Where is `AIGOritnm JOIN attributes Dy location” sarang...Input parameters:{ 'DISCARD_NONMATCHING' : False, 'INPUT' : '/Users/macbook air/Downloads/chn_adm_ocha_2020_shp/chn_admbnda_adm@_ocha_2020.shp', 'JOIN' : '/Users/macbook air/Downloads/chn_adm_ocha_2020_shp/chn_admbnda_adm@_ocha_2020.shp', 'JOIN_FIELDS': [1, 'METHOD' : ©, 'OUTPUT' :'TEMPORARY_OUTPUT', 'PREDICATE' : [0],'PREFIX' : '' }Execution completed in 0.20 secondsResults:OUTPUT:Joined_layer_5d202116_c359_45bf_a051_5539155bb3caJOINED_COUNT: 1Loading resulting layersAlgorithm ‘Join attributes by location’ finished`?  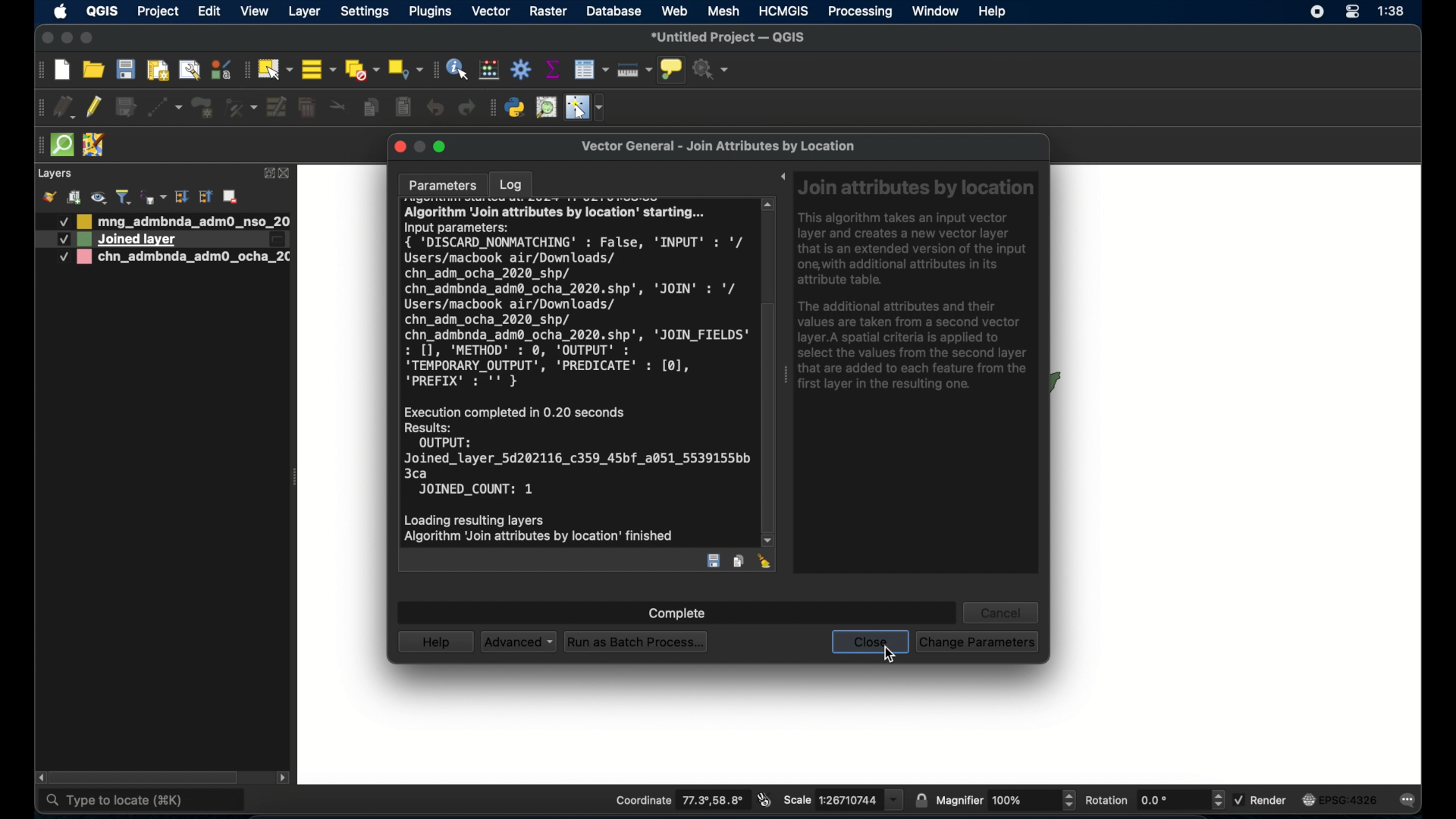
AIGOritnm JOIN attributes Dy location” sarang...Input parameters:{ 'DISCARD_NONMATCHING' : False, 'INPUT' : '/Users/macbook air/Downloads/chn_adm_ocha_2020_shp/chn_admbnda_adm@_ocha_2020.shp', 'JOIN' : '/Users/macbook air/Downloads/chn_adm_ocha_2020_shp/chn_admbnda_adm@_ocha_2020.shp', 'JOIN_FIELDS': [1, 'METHOD' : ©, 'OUTPUT' :'TEMPORARY_OUTPUT', 'PREDICATE' : [0],'PREFIX' : '' }Execution completed in 0.20 secondsResults:OUTPUT:Joined_layer_5d202116_c359_45bf_a051_5539155bb3caJOINED_COUNT: 1Loading resulting layersAlgorithm ‘Join attributes by location’ finished is located at coordinates (573, 373).